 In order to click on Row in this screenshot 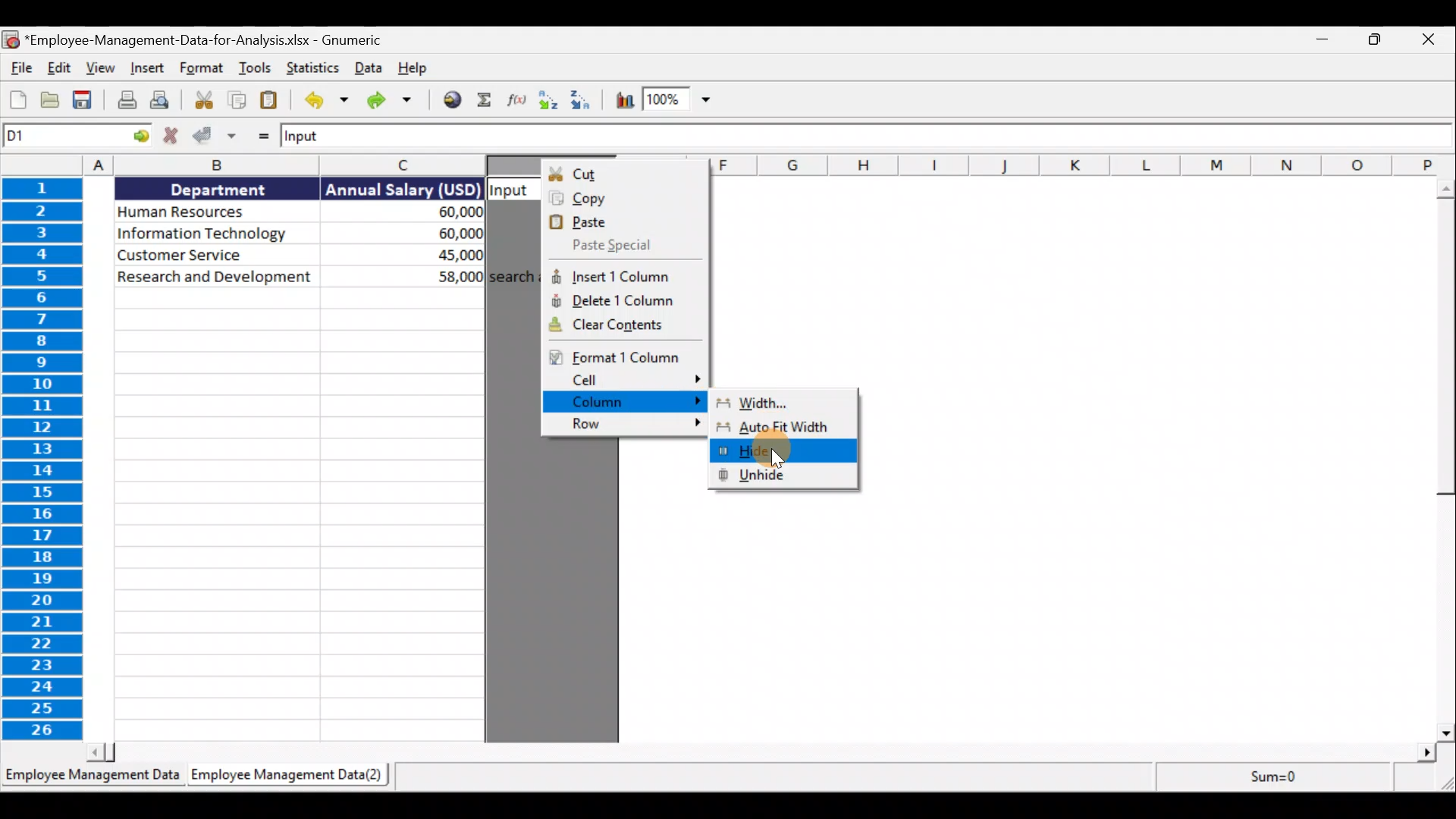, I will do `click(623, 425)`.